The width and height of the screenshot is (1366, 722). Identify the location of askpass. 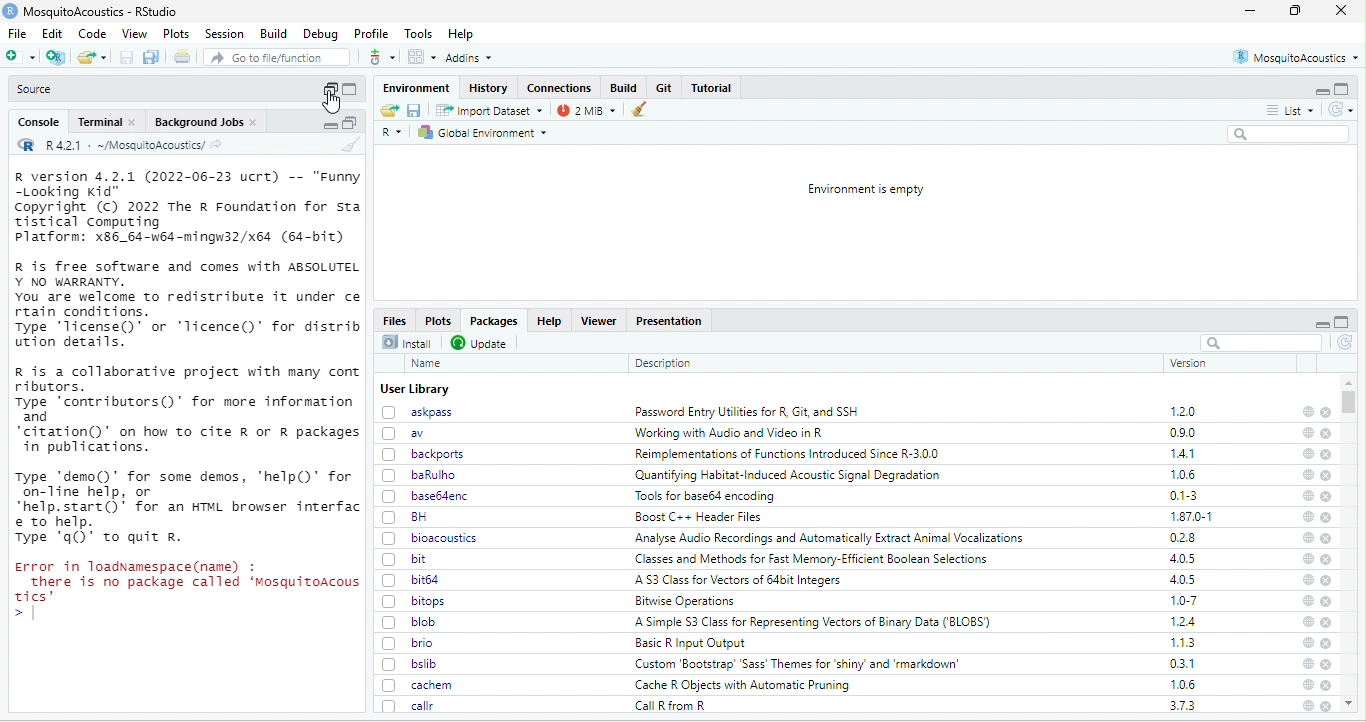
(415, 411).